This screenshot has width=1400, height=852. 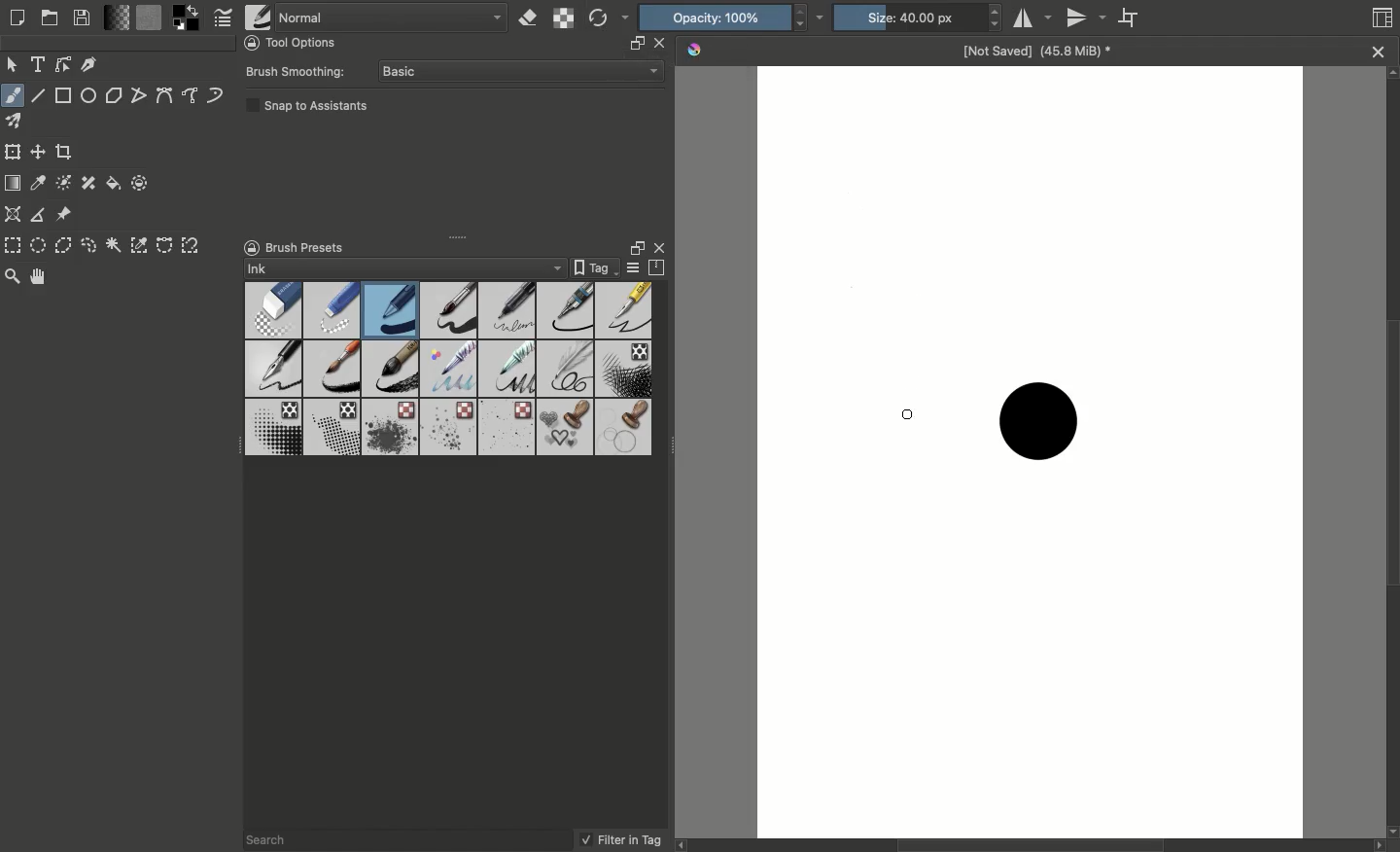 I want to click on Multibrush tool, so click(x=20, y=124).